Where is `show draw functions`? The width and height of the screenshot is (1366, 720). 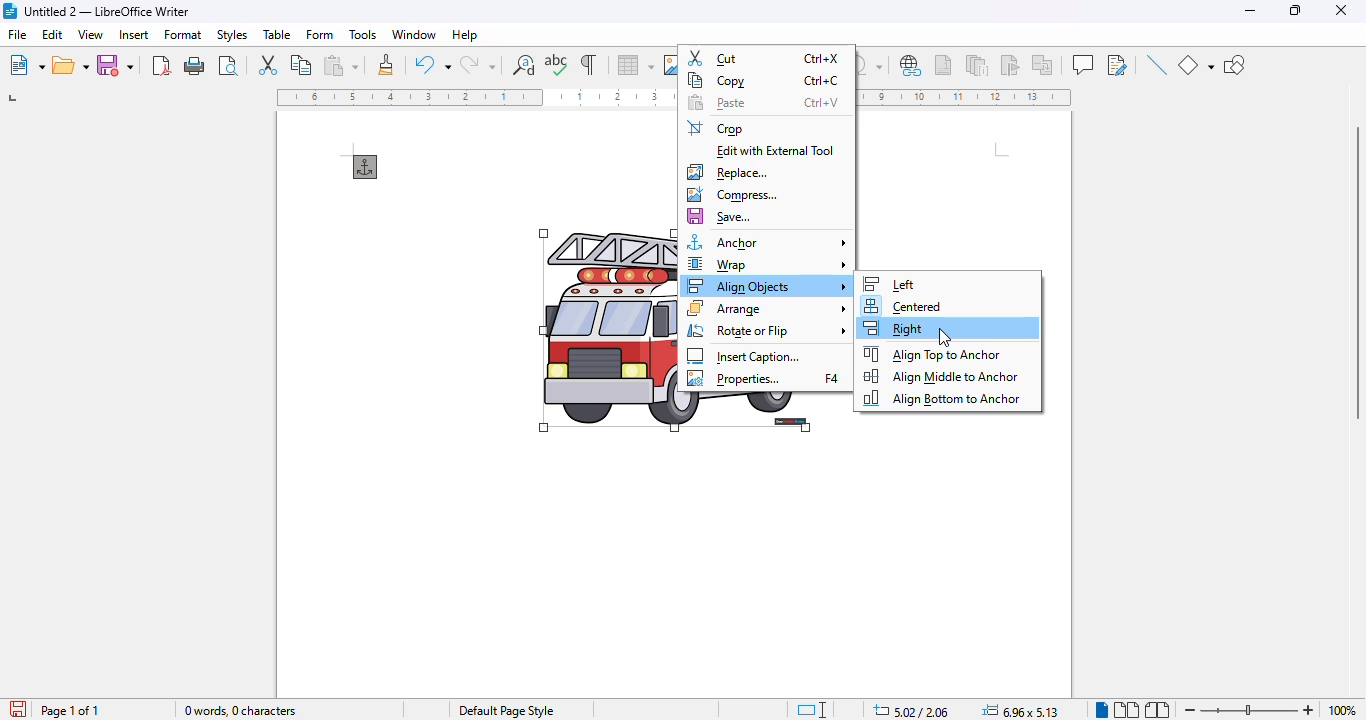
show draw functions is located at coordinates (1235, 66).